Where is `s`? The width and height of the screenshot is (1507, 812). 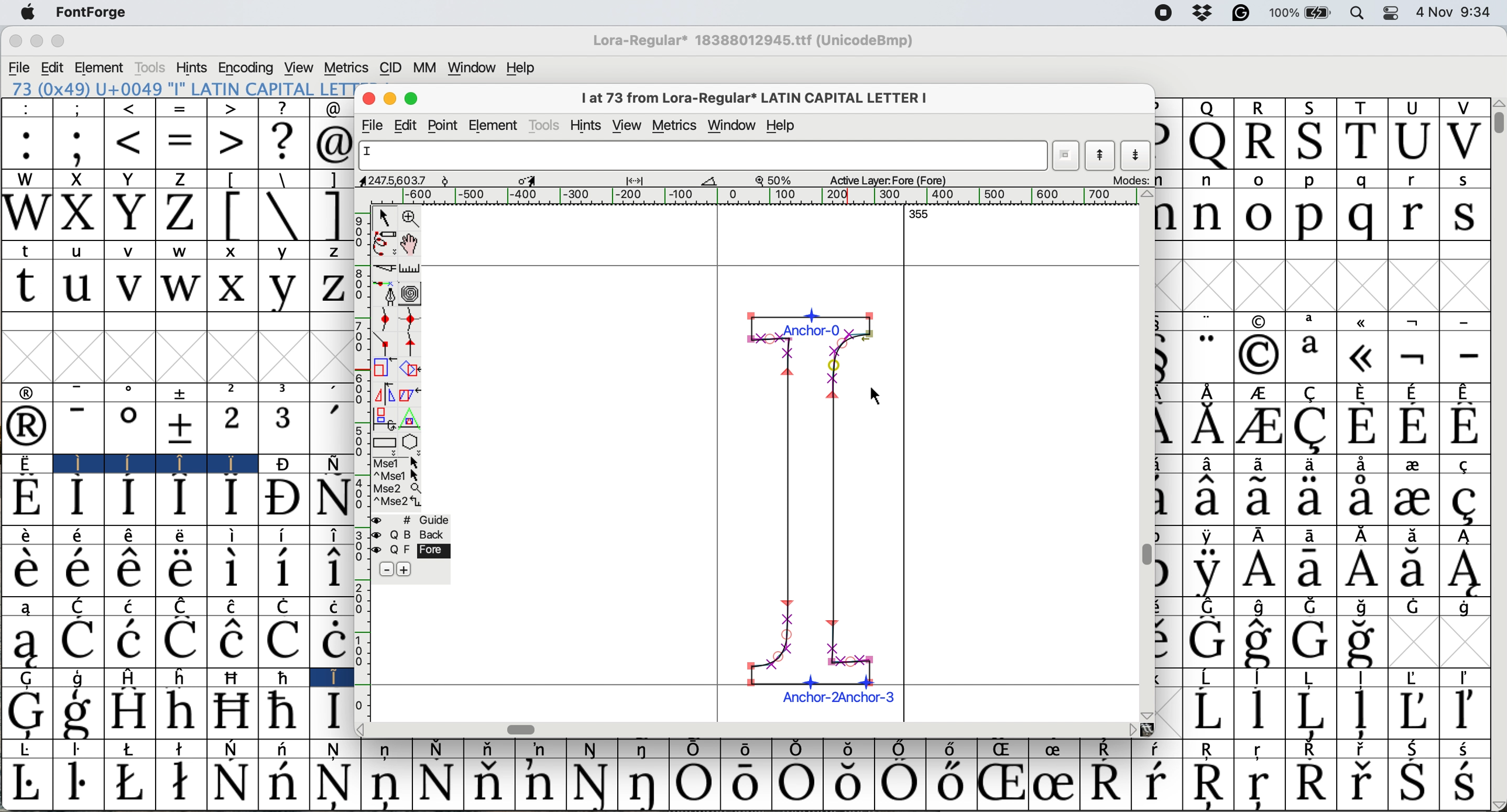
s is located at coordinates (1466, 181).